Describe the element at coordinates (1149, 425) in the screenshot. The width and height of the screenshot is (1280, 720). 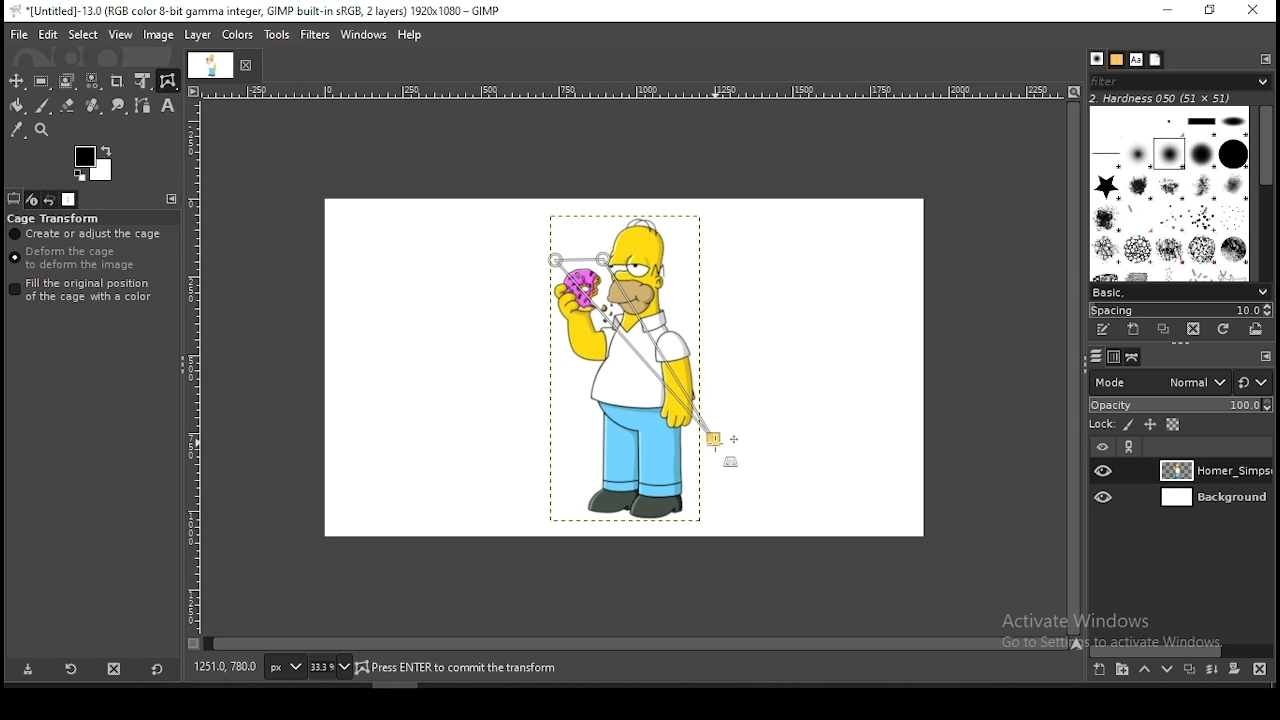
I see `lock position and size` at that location.